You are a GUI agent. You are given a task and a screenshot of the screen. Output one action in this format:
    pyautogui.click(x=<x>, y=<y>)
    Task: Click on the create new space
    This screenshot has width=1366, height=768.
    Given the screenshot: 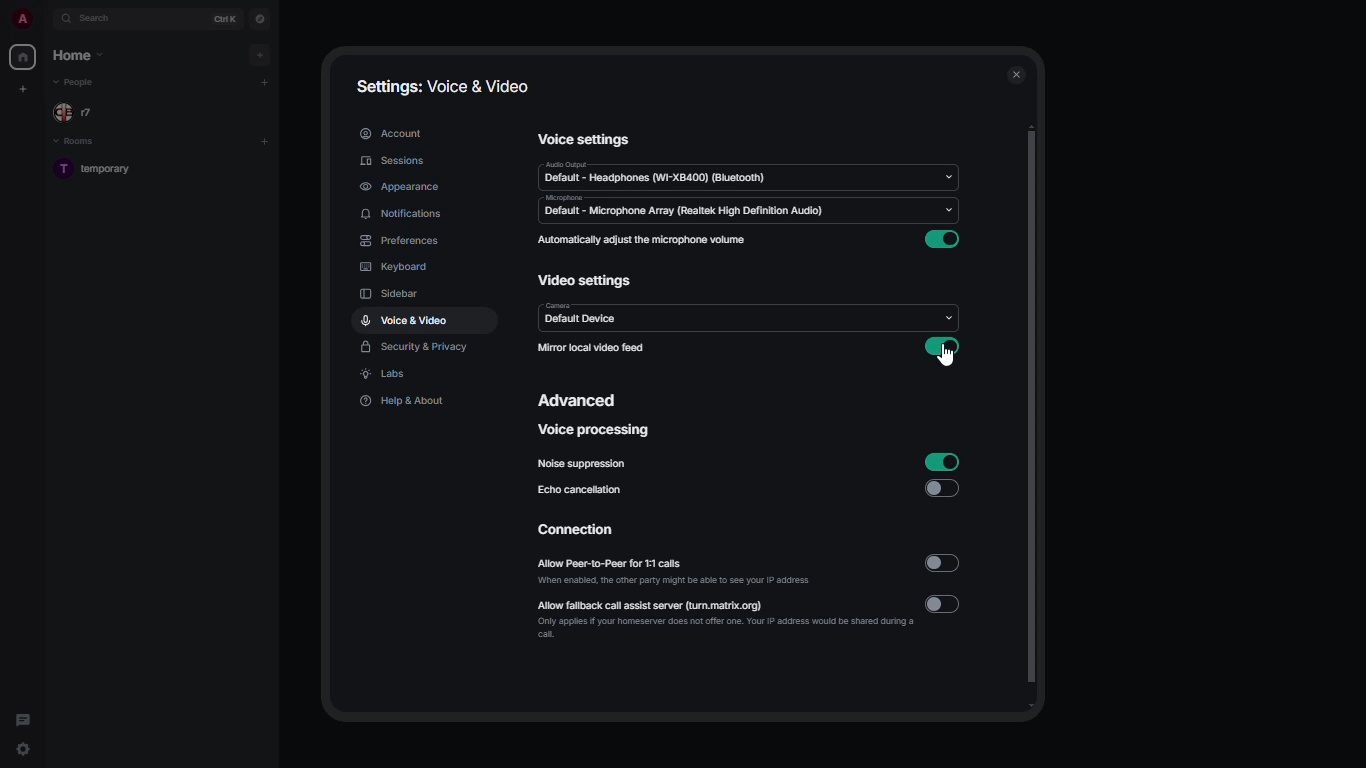 What is the action you would take?
    pyautogui.click(x=27, y=87)
    